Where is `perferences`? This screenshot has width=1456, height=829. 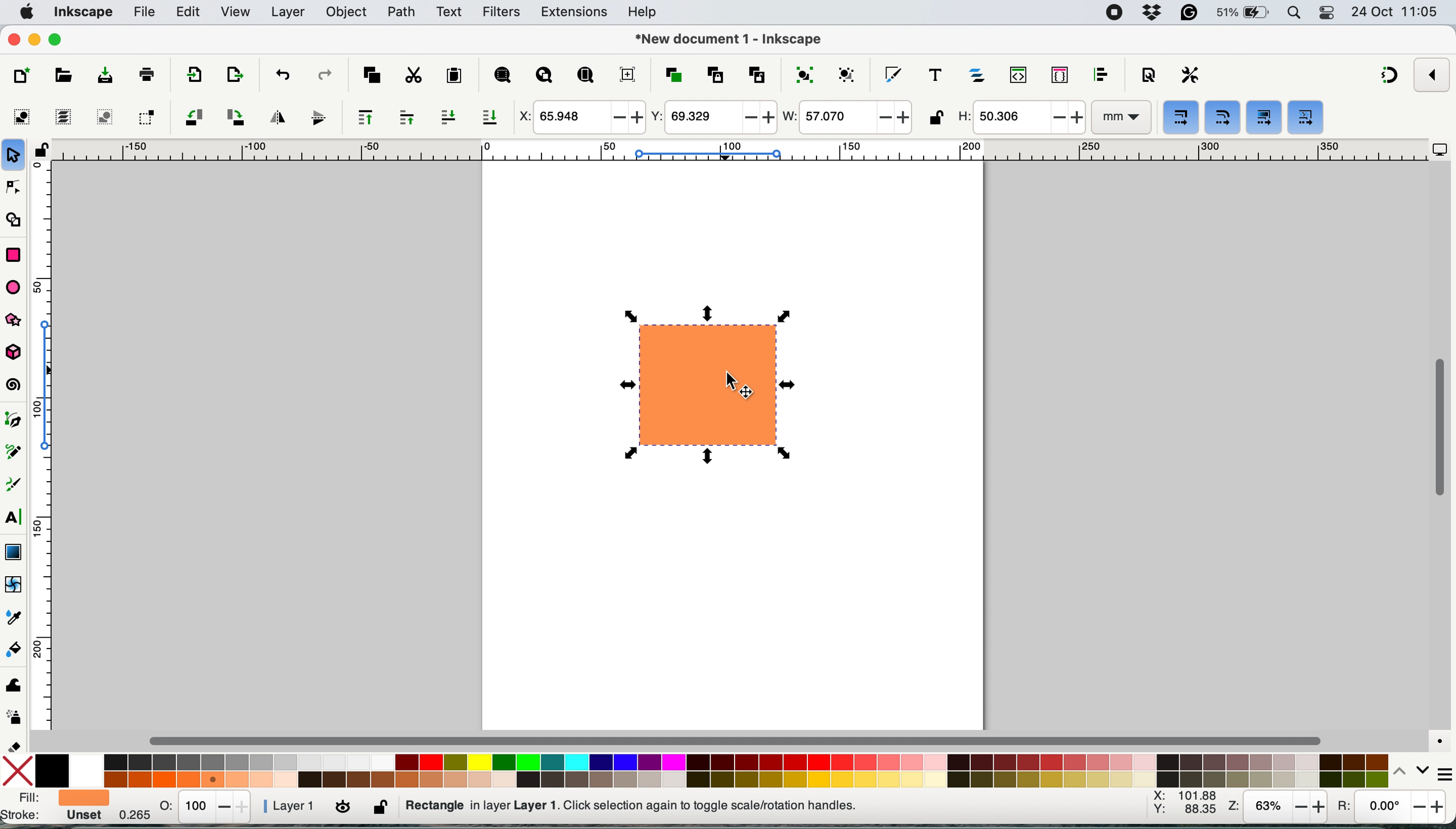
perferences is located at coordinates (1191, 75).